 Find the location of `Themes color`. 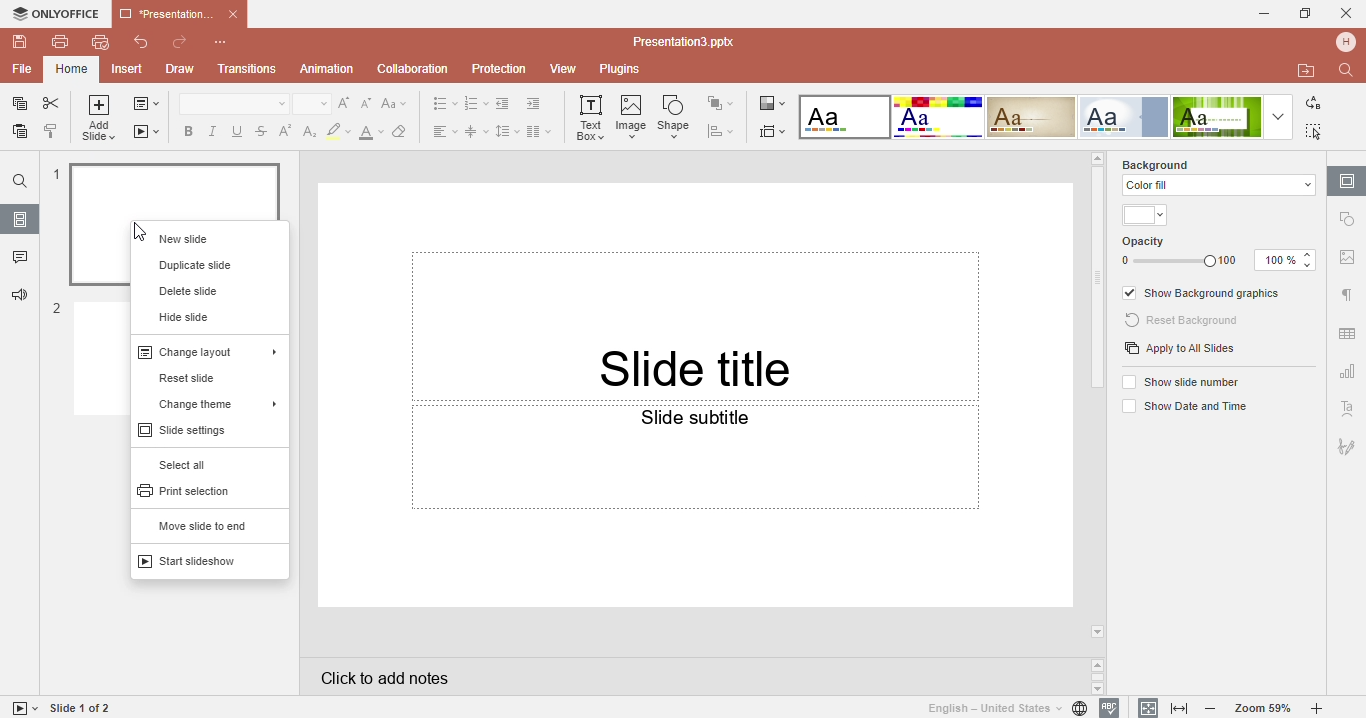

Themes color is located at coordinates (1147, 216).